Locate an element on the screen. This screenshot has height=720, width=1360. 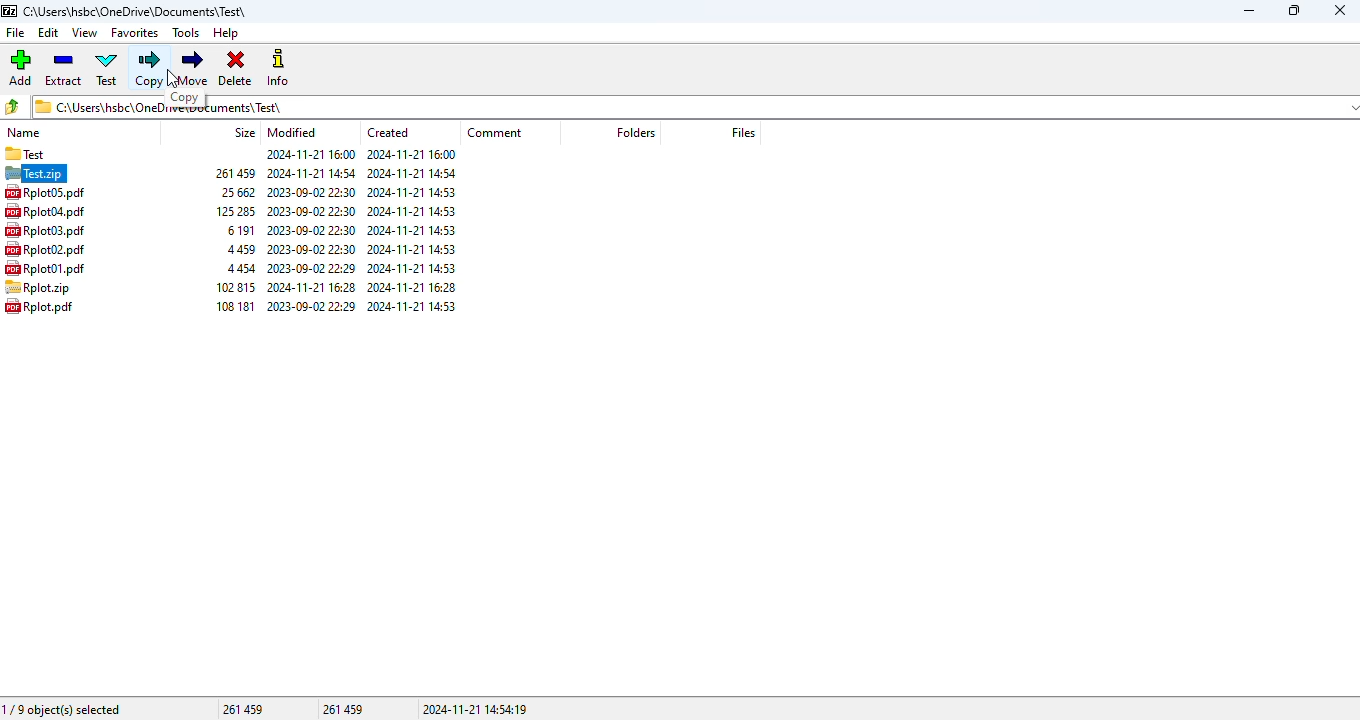
extract is located at coordinates (64, 70).